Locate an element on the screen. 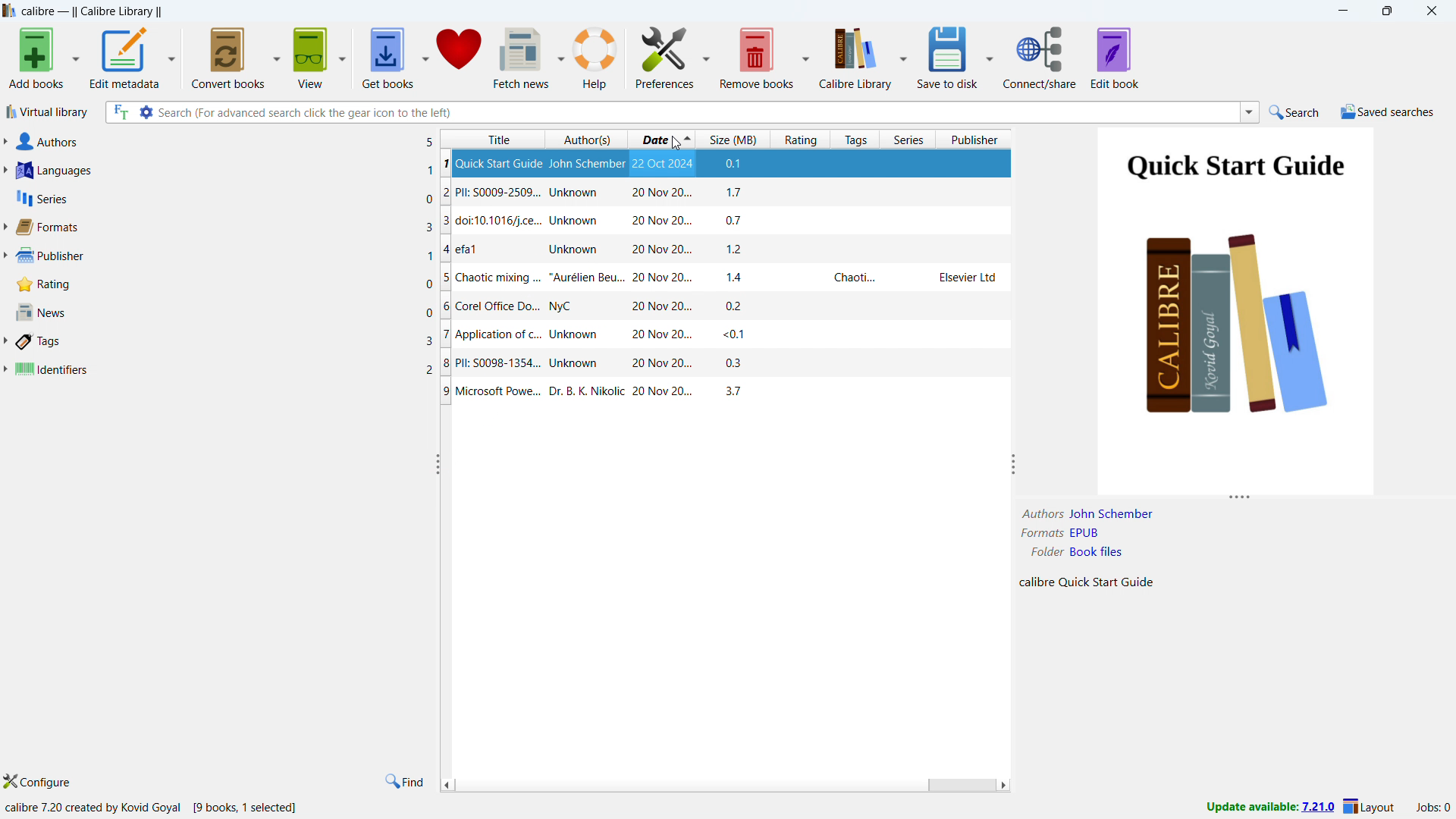 This screenshot has width=1456, height=819. series is located at coordinates (909, 140).